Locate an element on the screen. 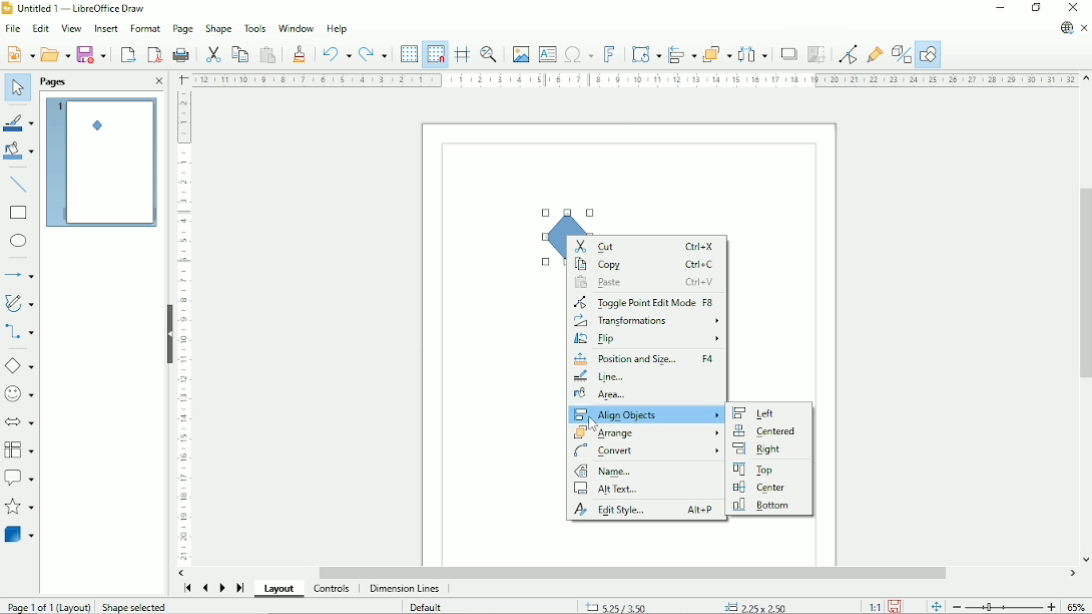  Zoom factor is located at coordinates (1076, 604).